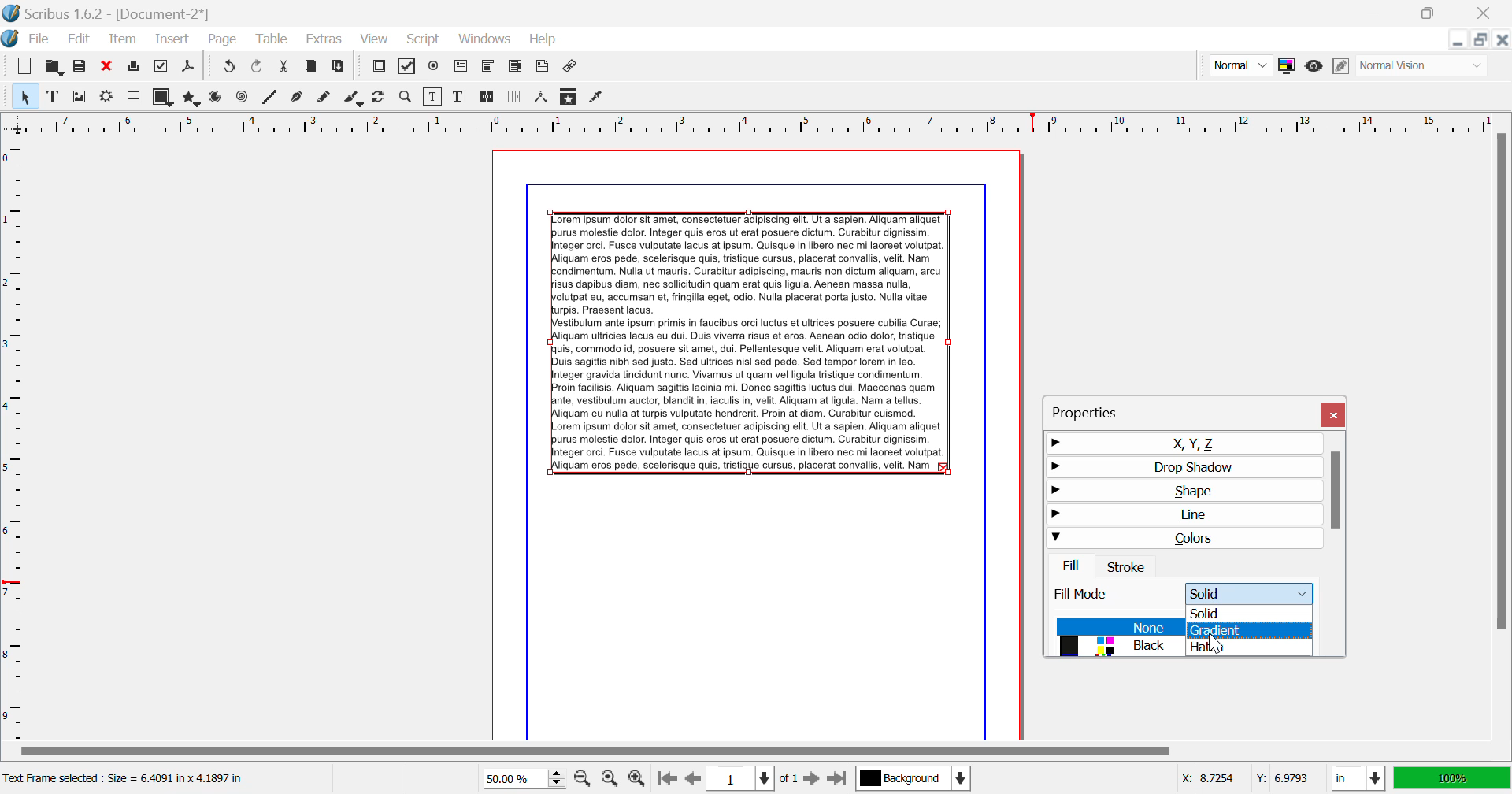 The image size is (1512, 794). Describe the element at coordinates (1459, 39) in the screenshot. I see `Restore Down` at that location.